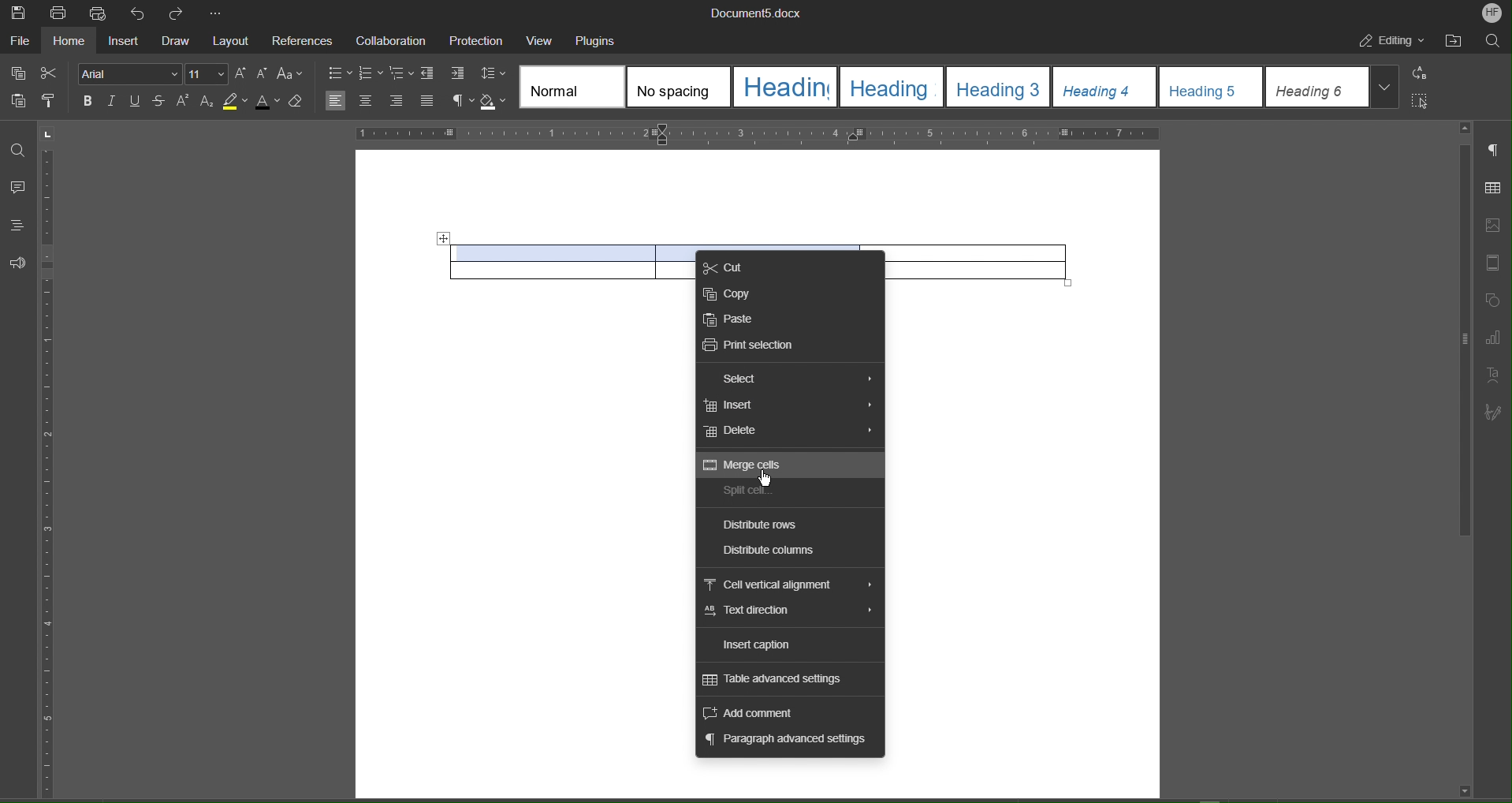 Image resolution: width=1512 pixels, height=803 pixels. I want to click on Select, so click(743, 378).